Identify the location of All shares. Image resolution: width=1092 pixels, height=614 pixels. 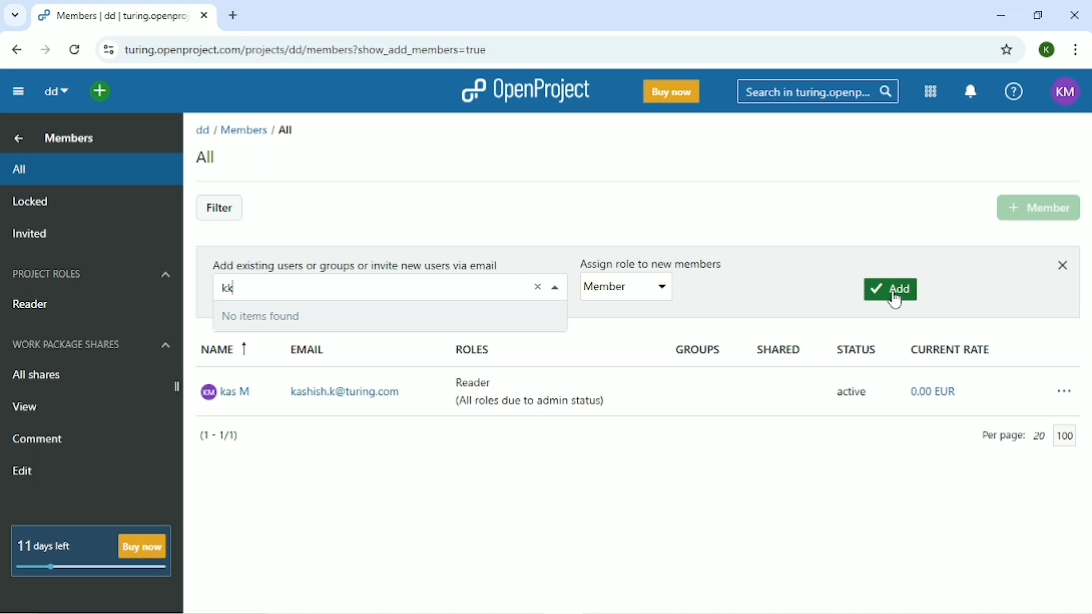
(36, 376).